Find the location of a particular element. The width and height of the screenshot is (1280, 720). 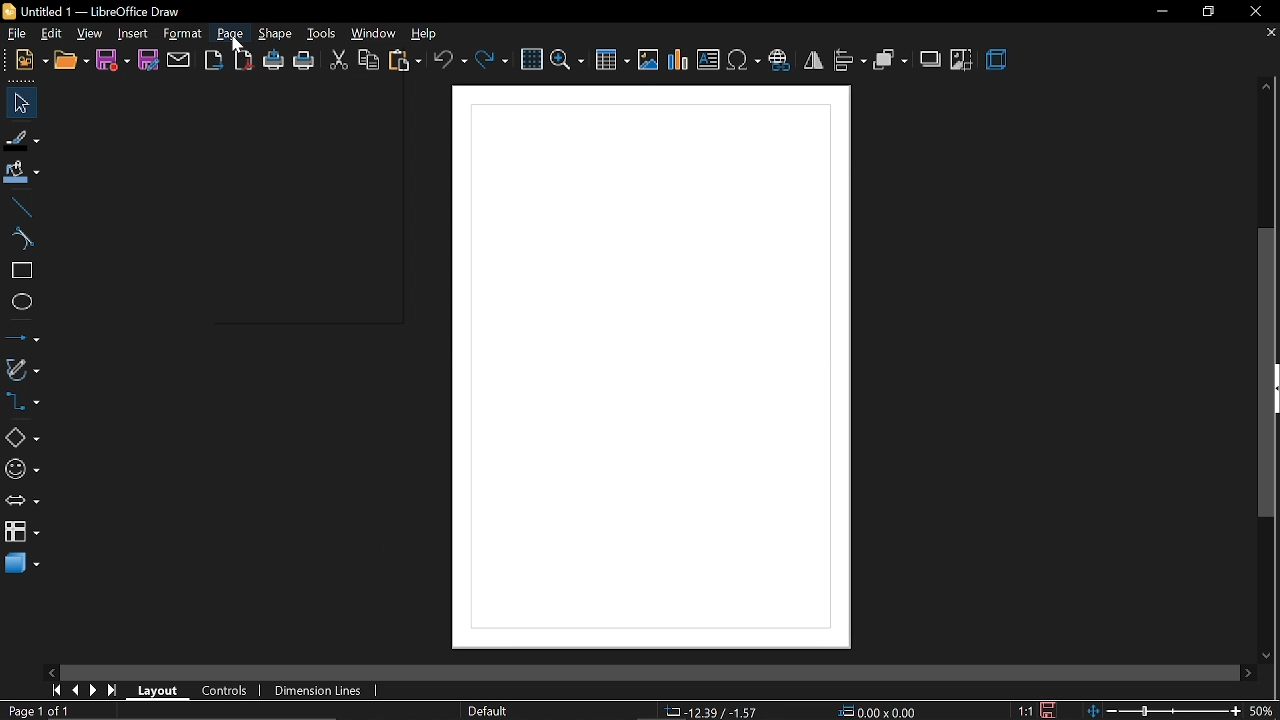

controls is located at coordinates (225, 689).